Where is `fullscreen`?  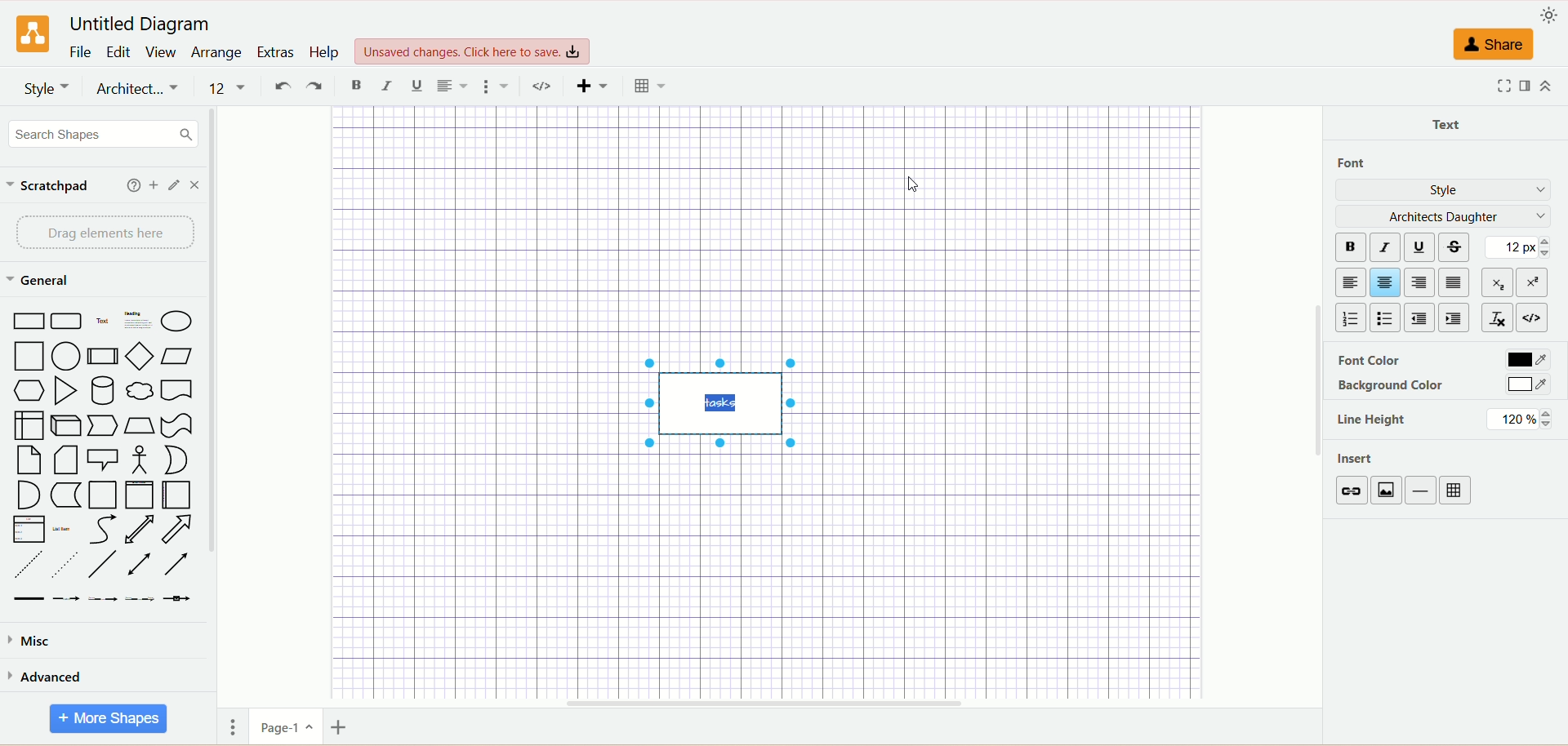 fullscreen is located at coordinates (1503, 87).